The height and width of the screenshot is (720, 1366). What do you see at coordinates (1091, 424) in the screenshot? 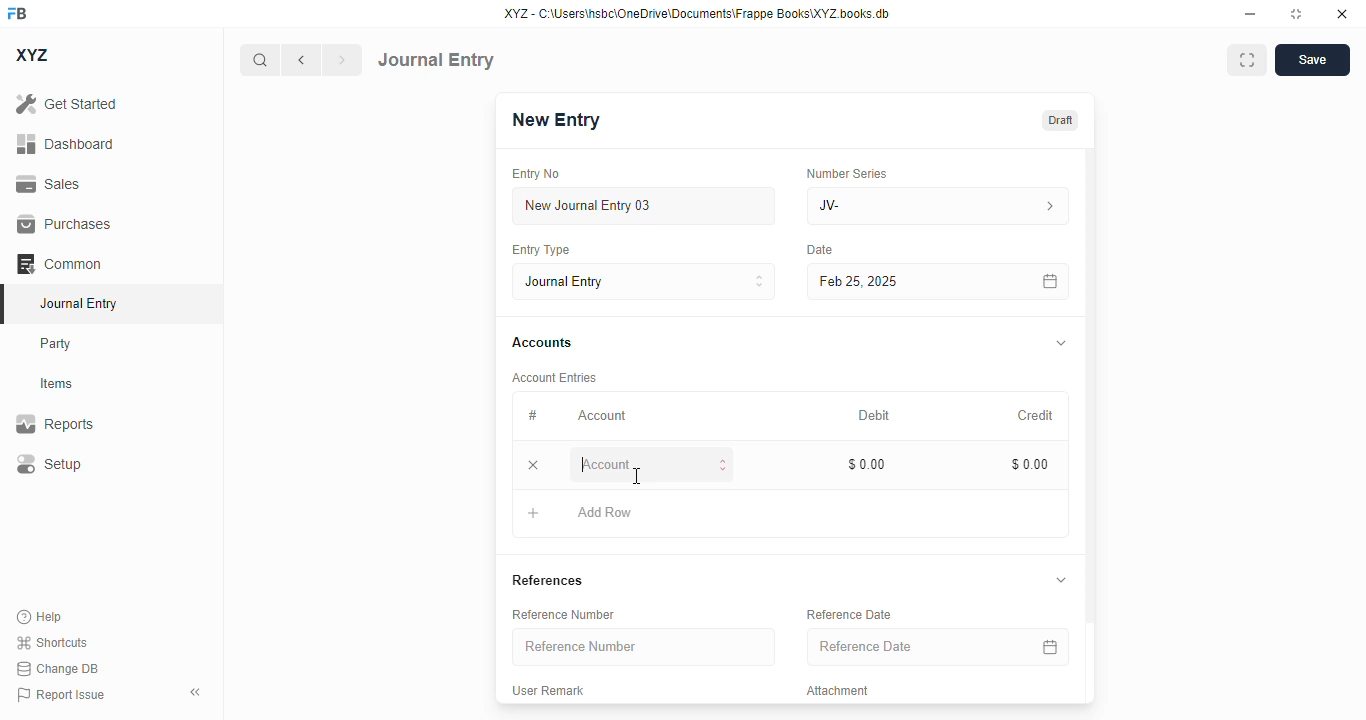
I see `scroll bar` at bounding box center [1091, 424].